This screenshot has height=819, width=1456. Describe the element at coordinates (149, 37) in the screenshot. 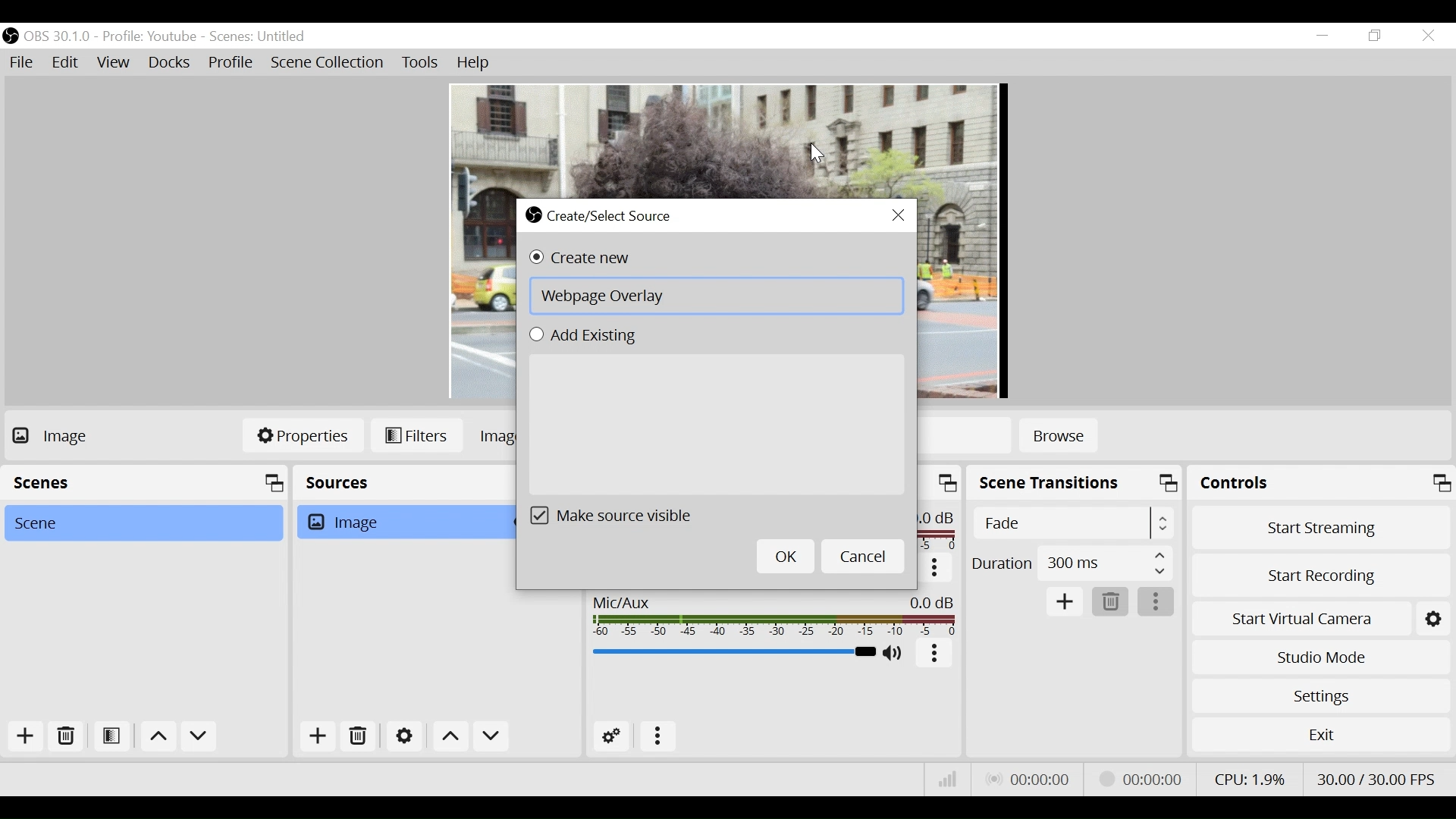

I see `Profile` at that location.